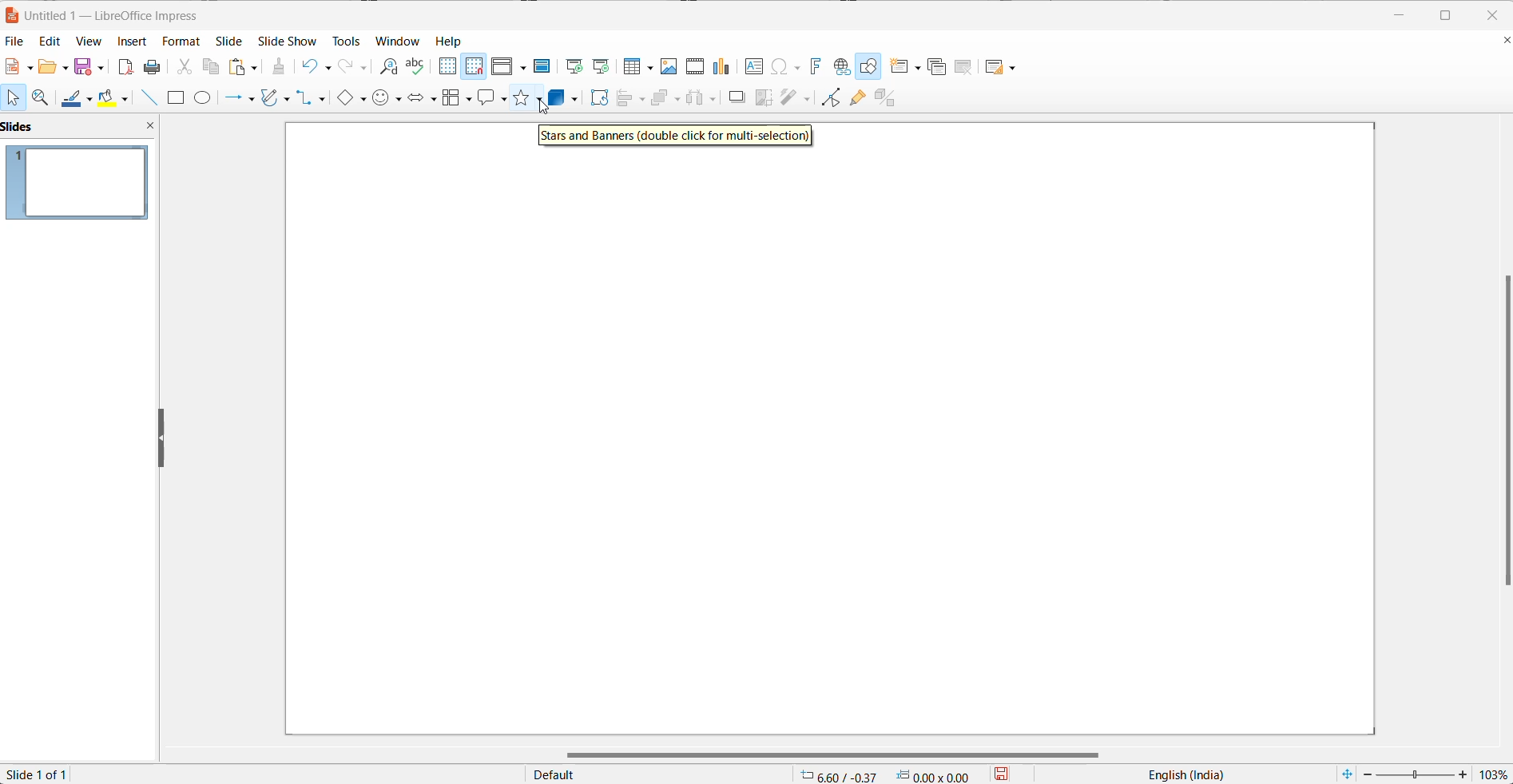 The height and width of the screenshot is (784, 1513). What do you see at coordinates (565, 98) in the screenshot?
I see `3d objects` at bounding box center [565, 98].